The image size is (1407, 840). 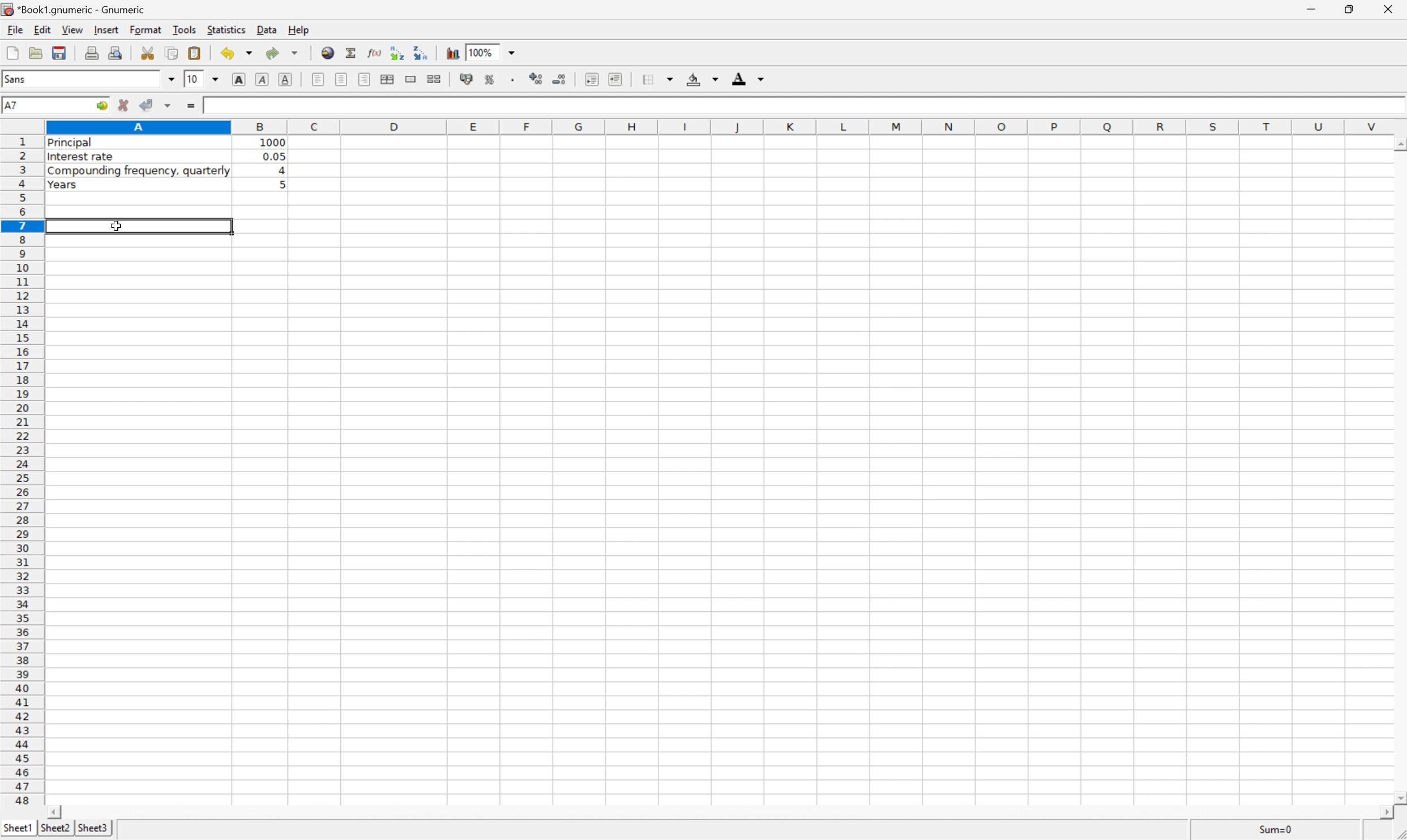 I want to click on center horizontally, so click(x=340, y=79).